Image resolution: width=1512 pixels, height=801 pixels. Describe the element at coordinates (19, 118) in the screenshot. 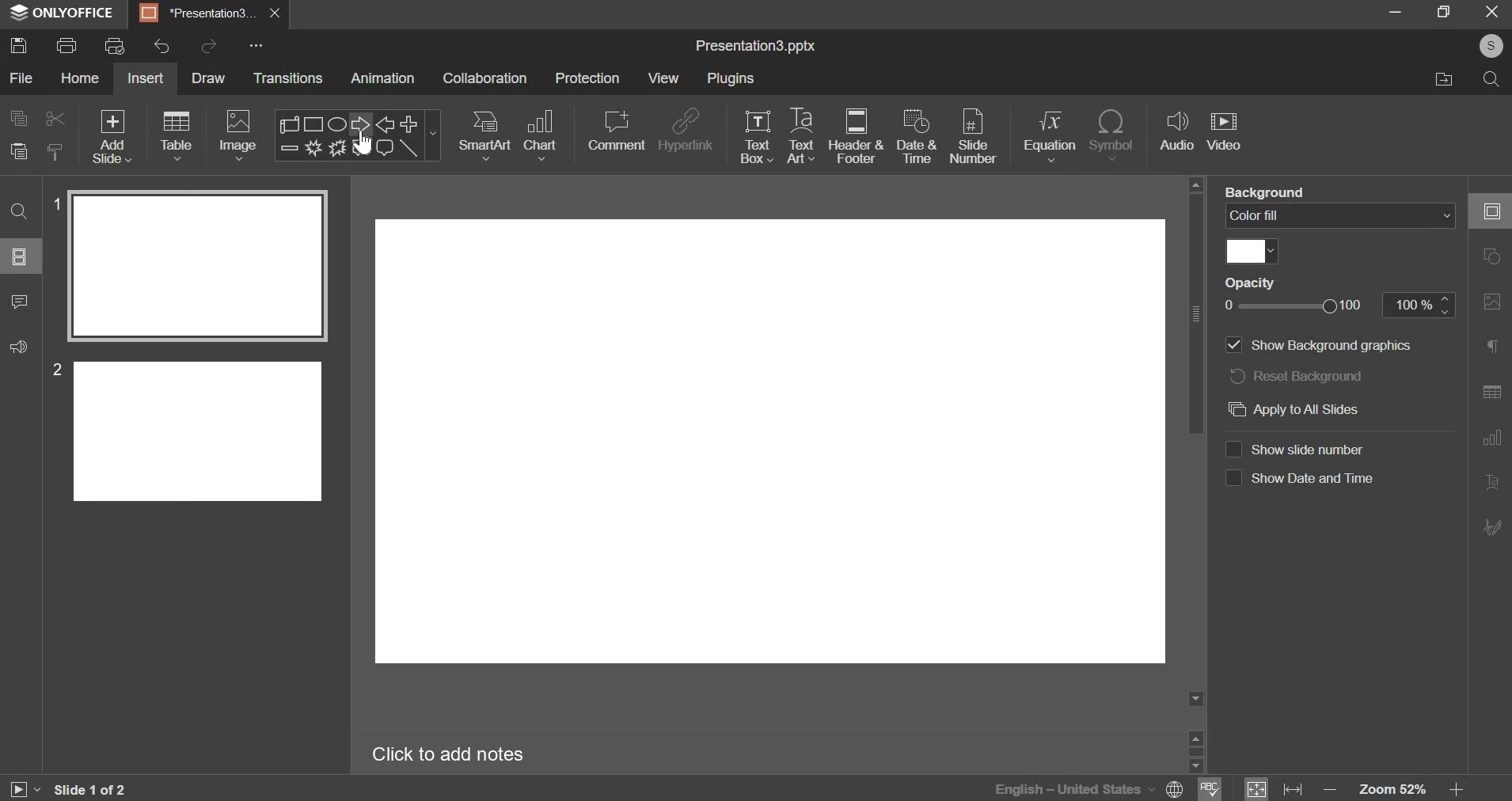

I see `copy` at that location.